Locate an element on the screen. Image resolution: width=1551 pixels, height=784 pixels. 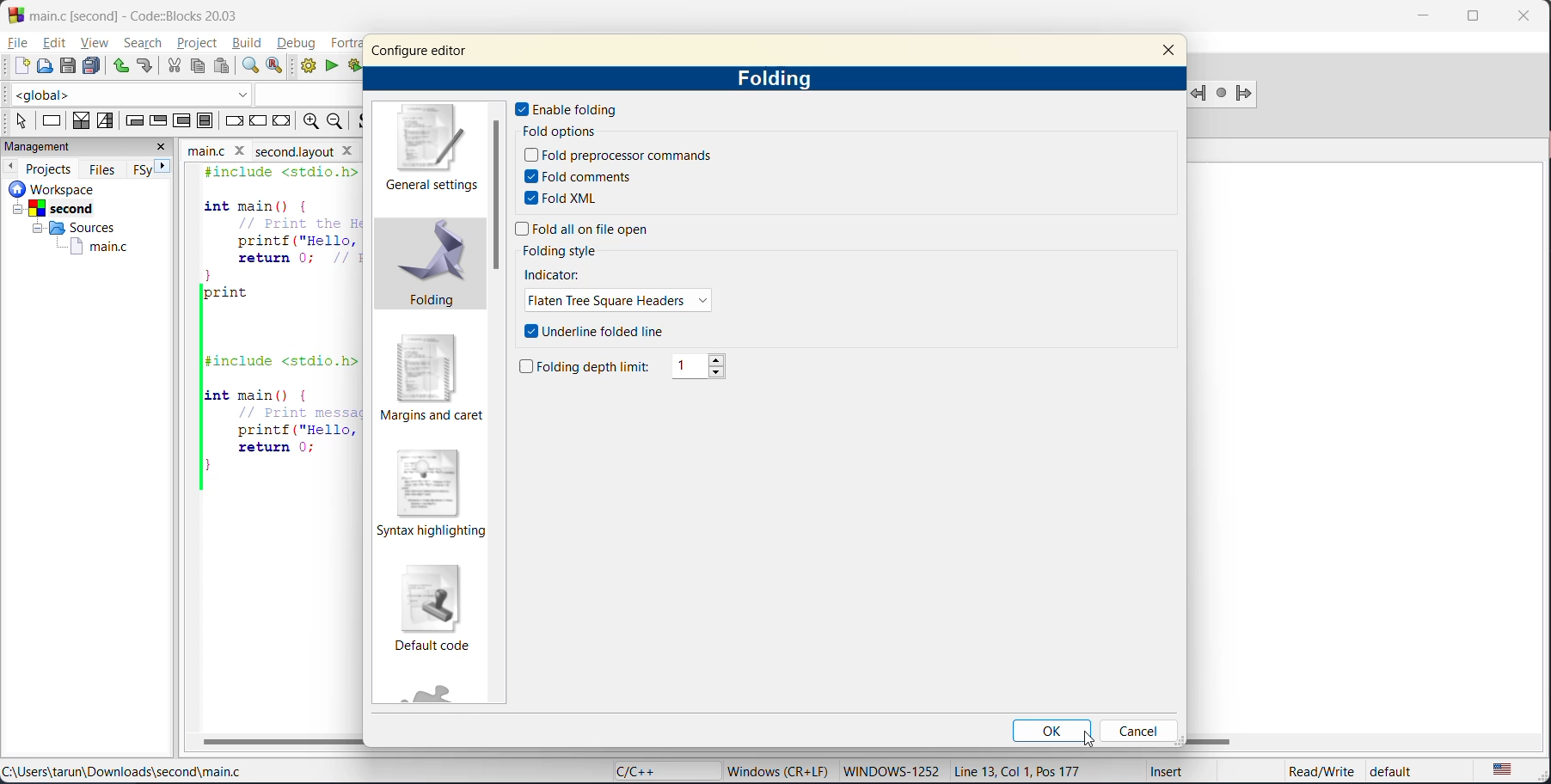
cursor is located at coordinates (1094, 742).